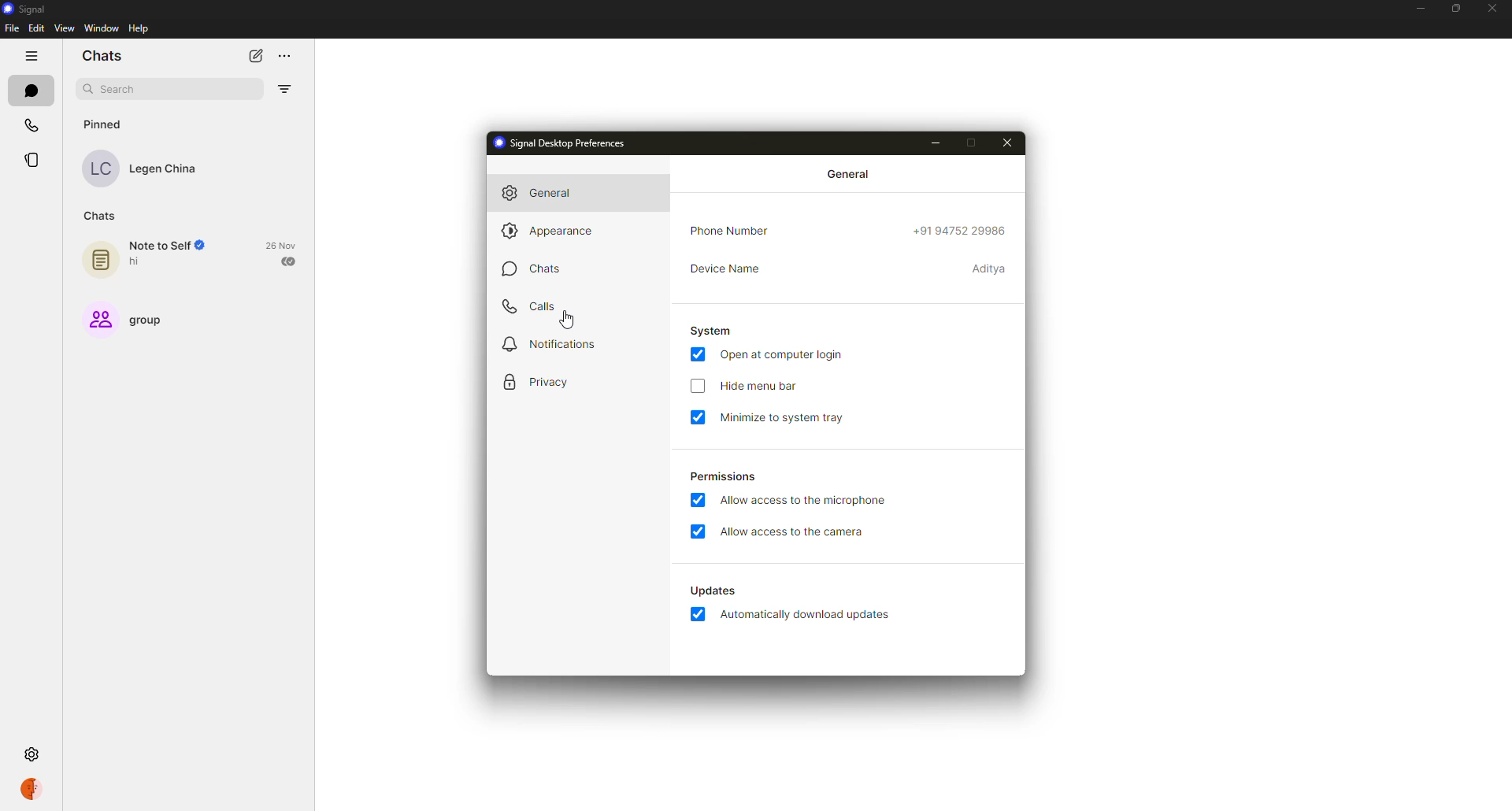  Describe the element at coordinates (97, 318) in the screenshot. I see `Group Icon` at that location.